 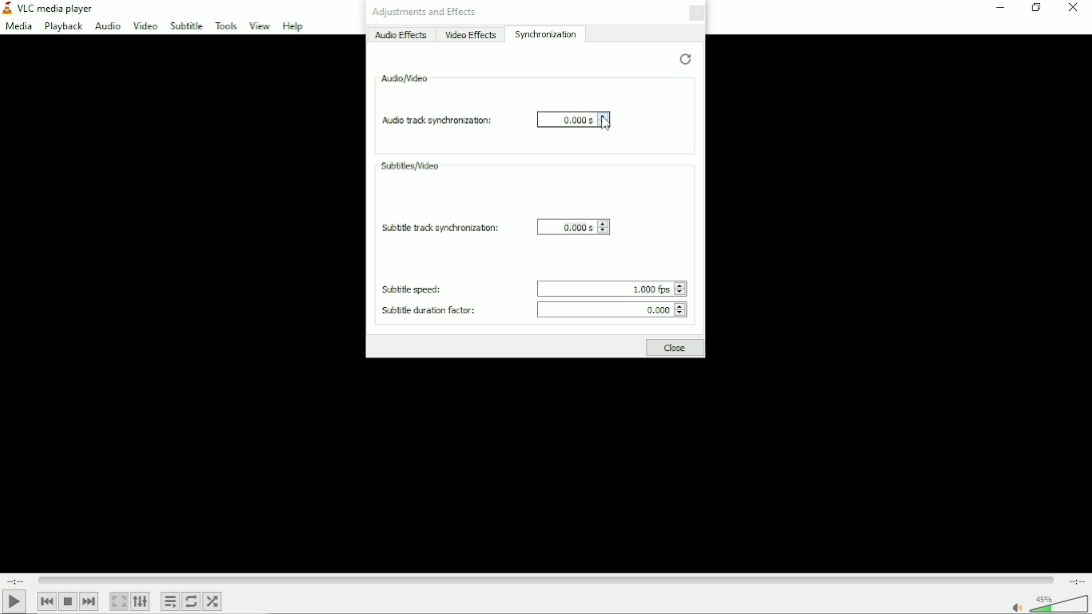 What do you see at coordinates (427, 308) in the screenshot?
I see `Subtitle duration factor` at bounding box center [427, 308].